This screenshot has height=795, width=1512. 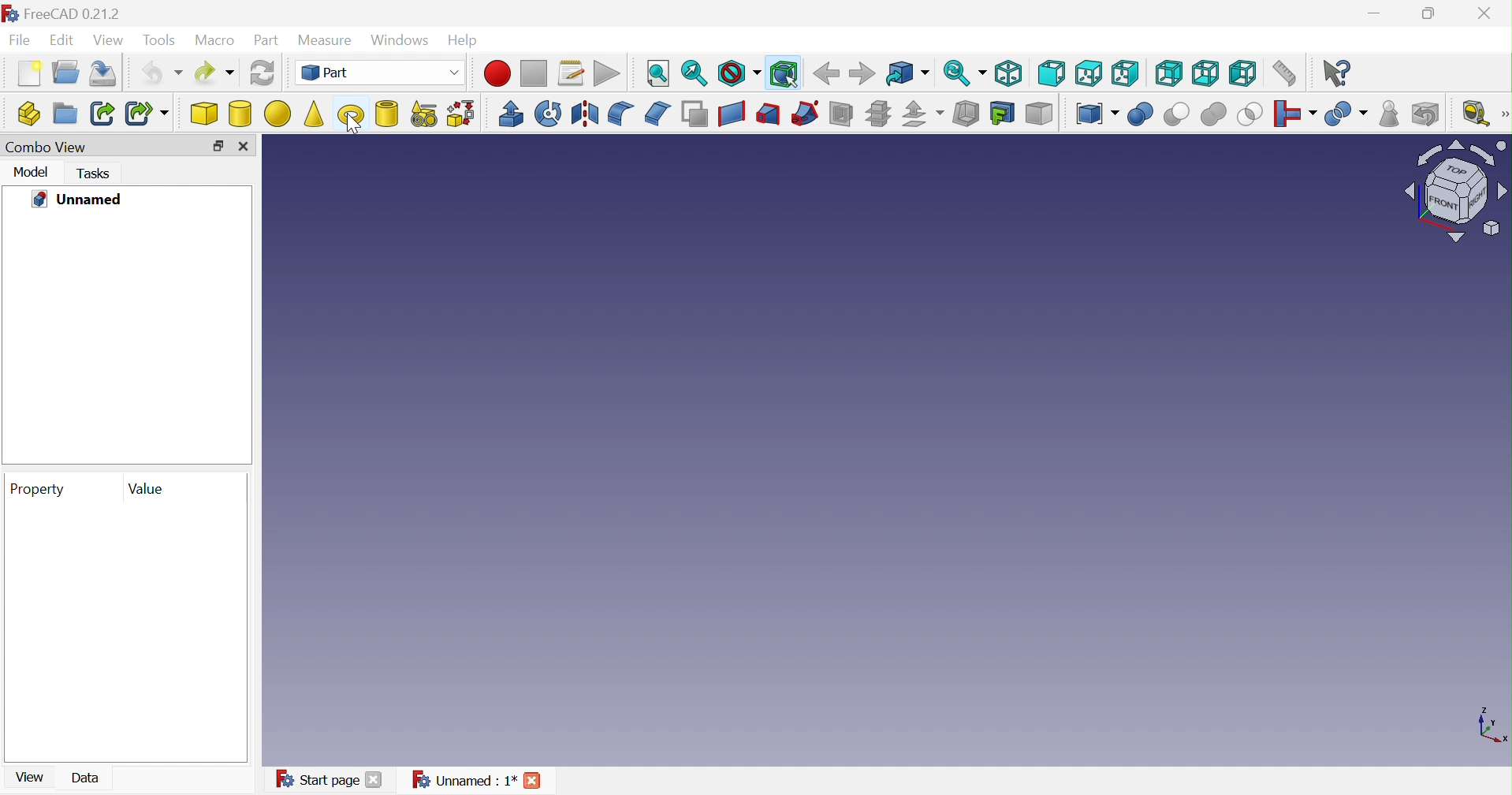 What do you see at coordinates (1089, 73) in the screenshot?
I see `Top` at bounding box center [1089, 73].